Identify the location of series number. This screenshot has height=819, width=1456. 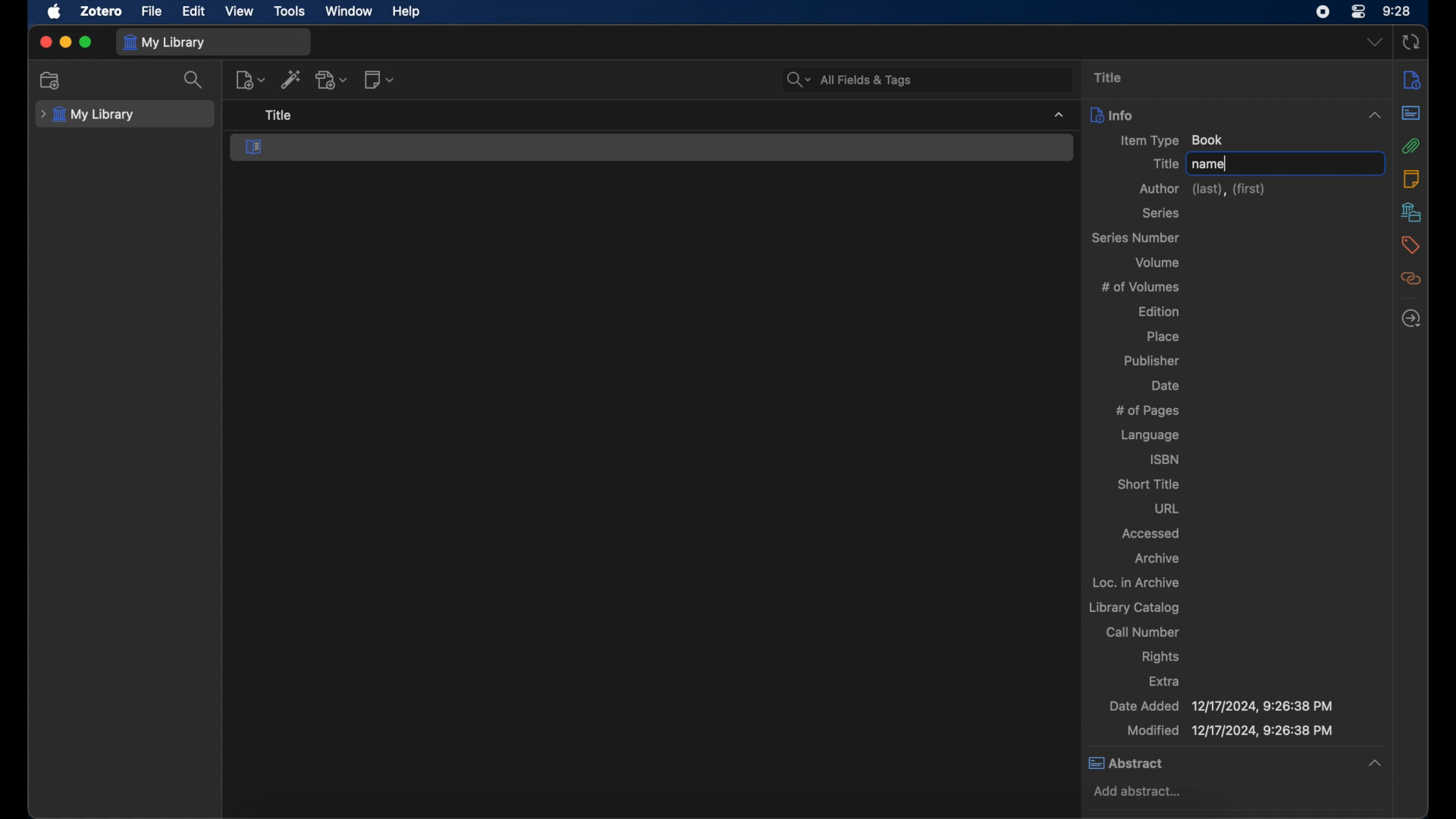
(1136, 238).